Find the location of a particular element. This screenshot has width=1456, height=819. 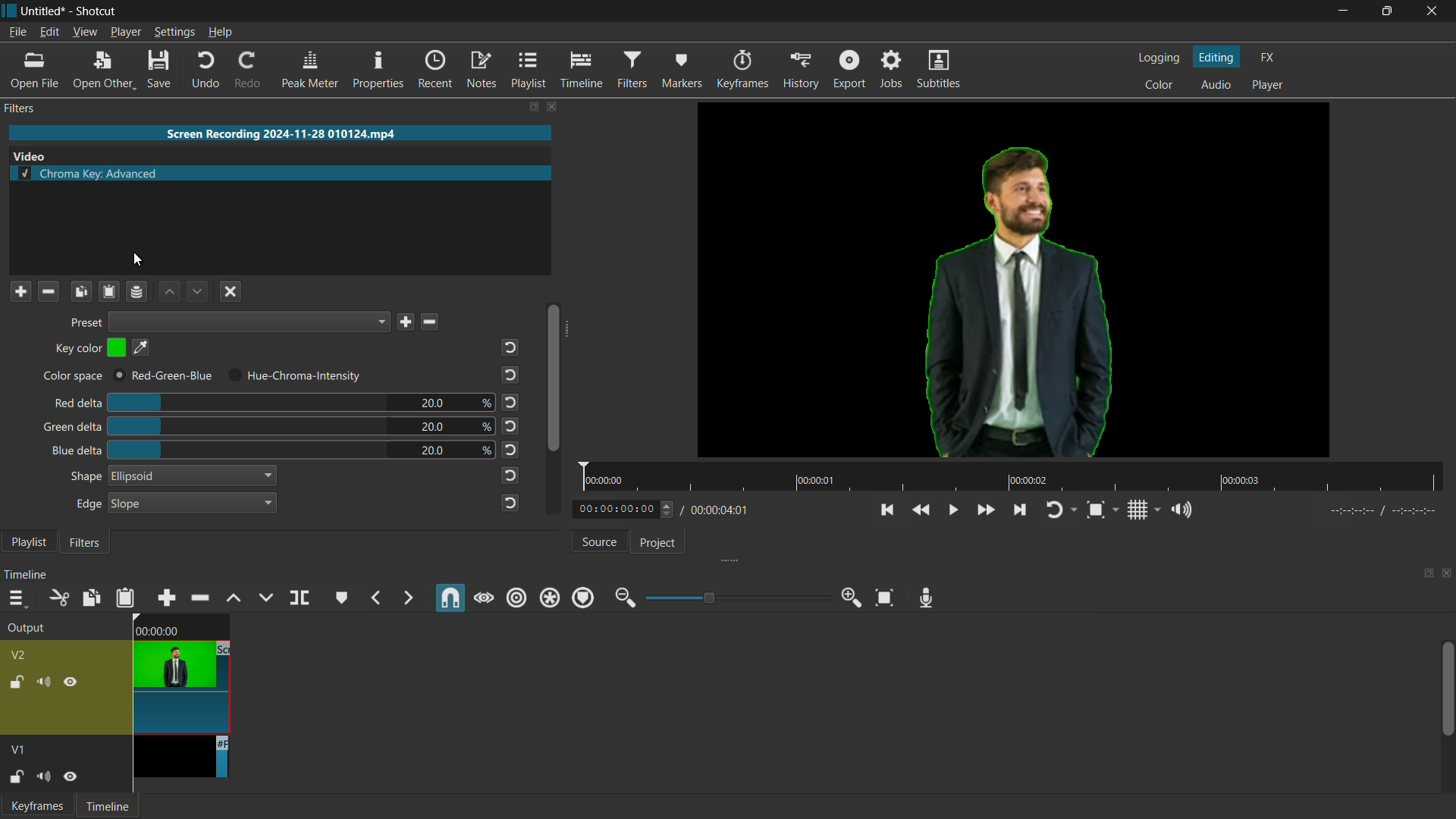

split at playhead is located at coordinates (300, 598).